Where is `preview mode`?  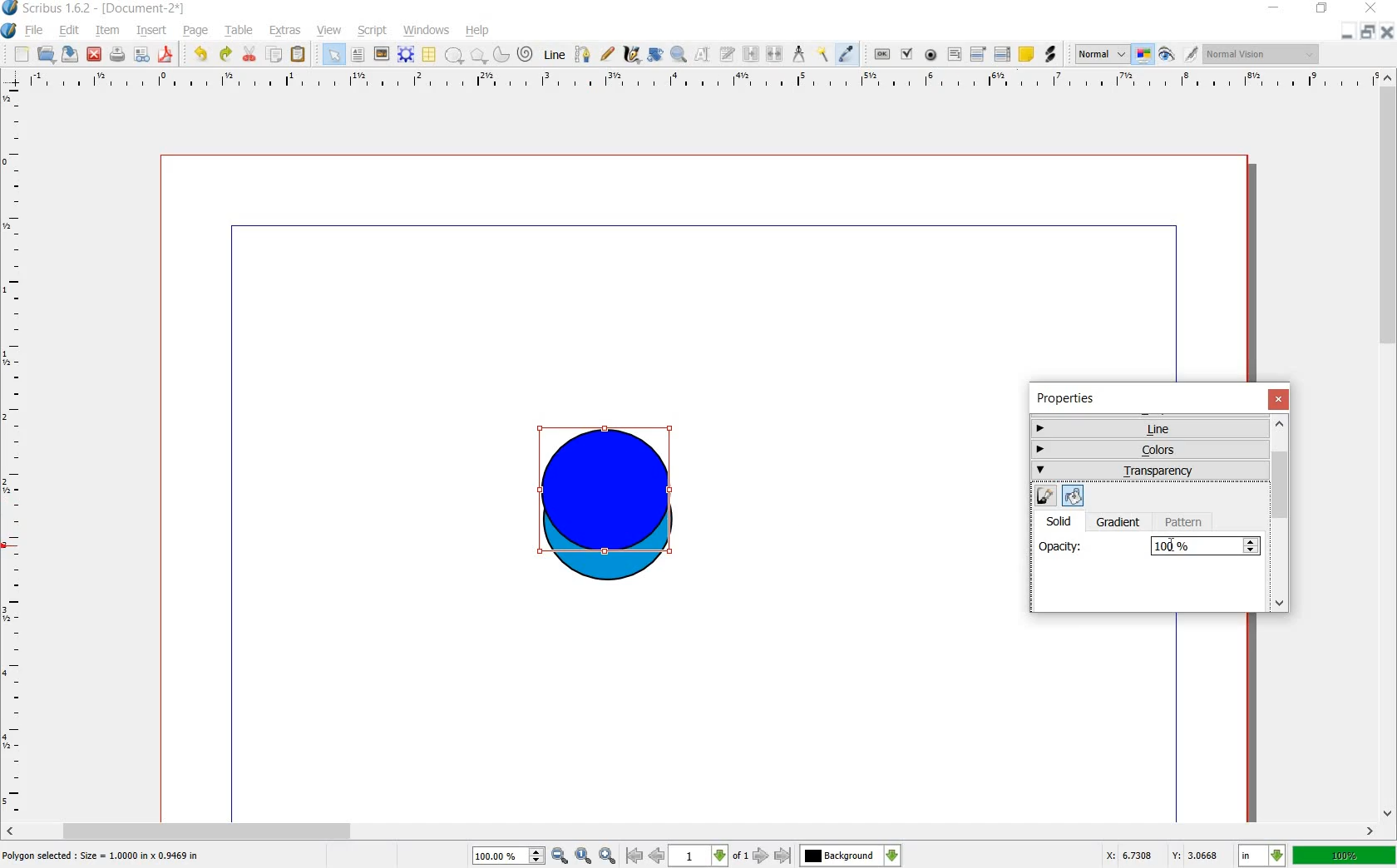 preview mode is located at coordinates (1166, 57).